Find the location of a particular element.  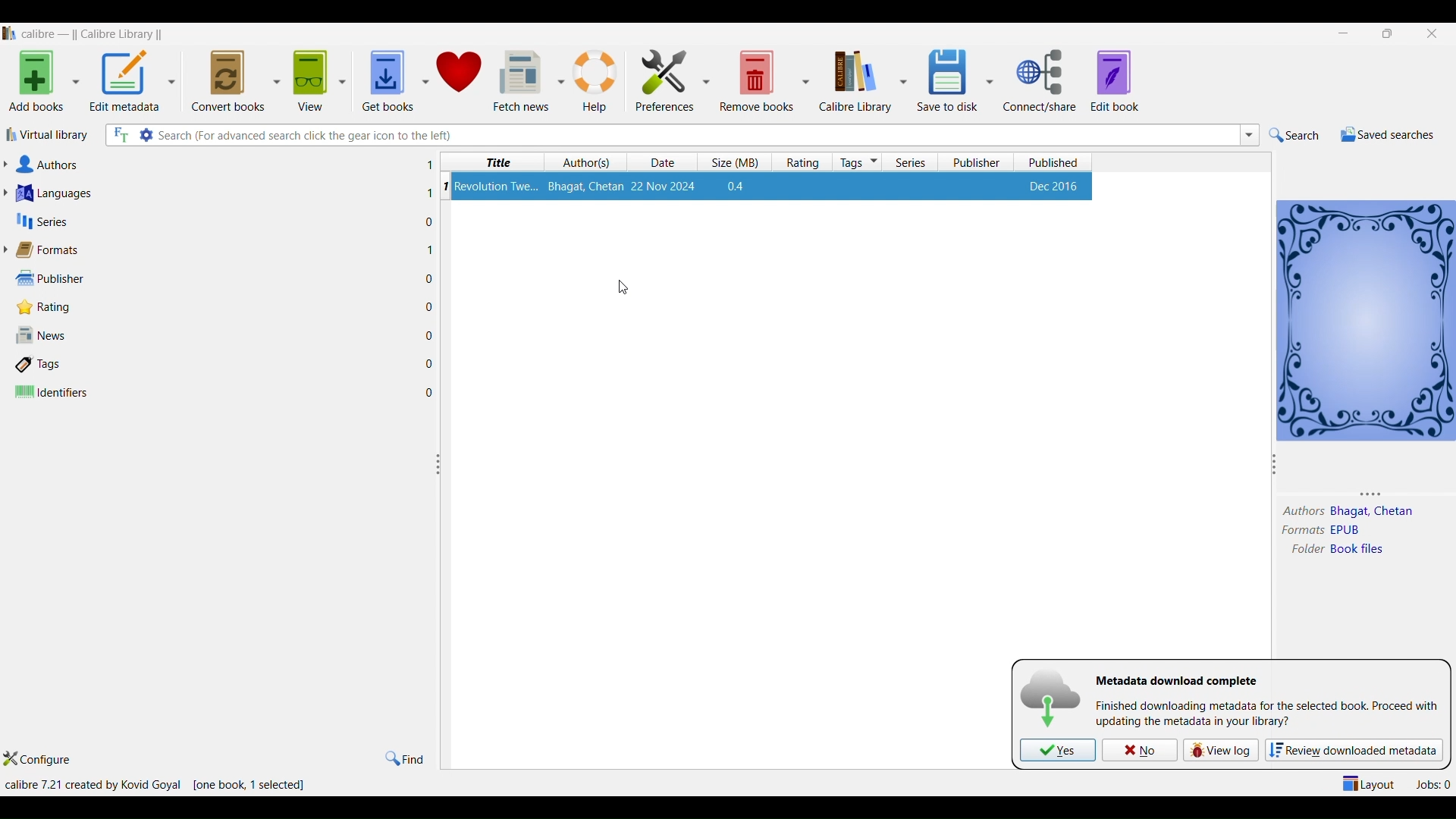

0 is located at coordinates (430, 306).